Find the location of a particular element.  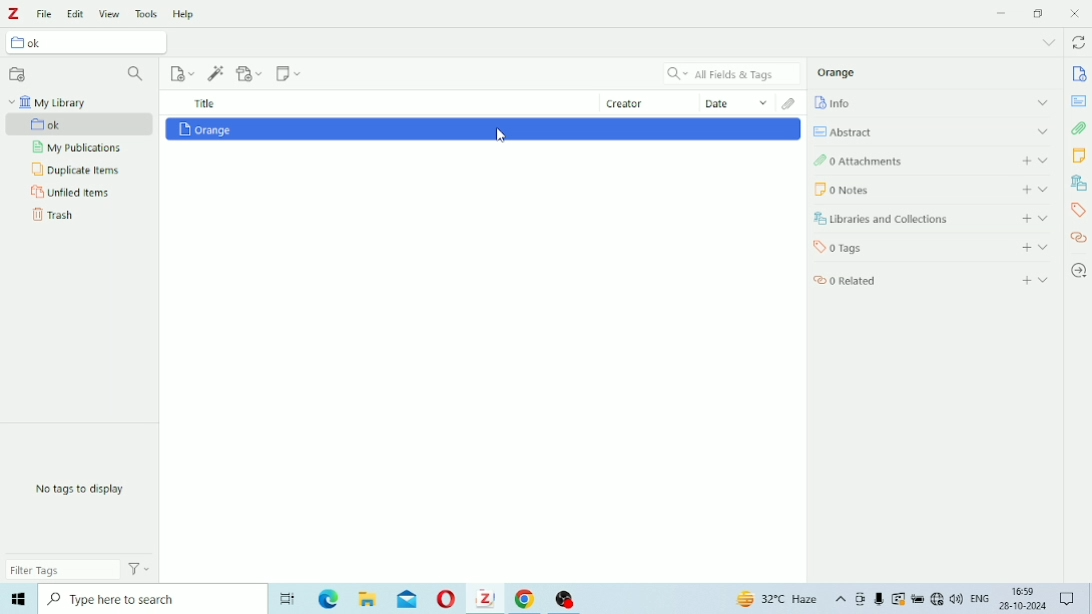

Cursor is located at coordinates (503, 135).